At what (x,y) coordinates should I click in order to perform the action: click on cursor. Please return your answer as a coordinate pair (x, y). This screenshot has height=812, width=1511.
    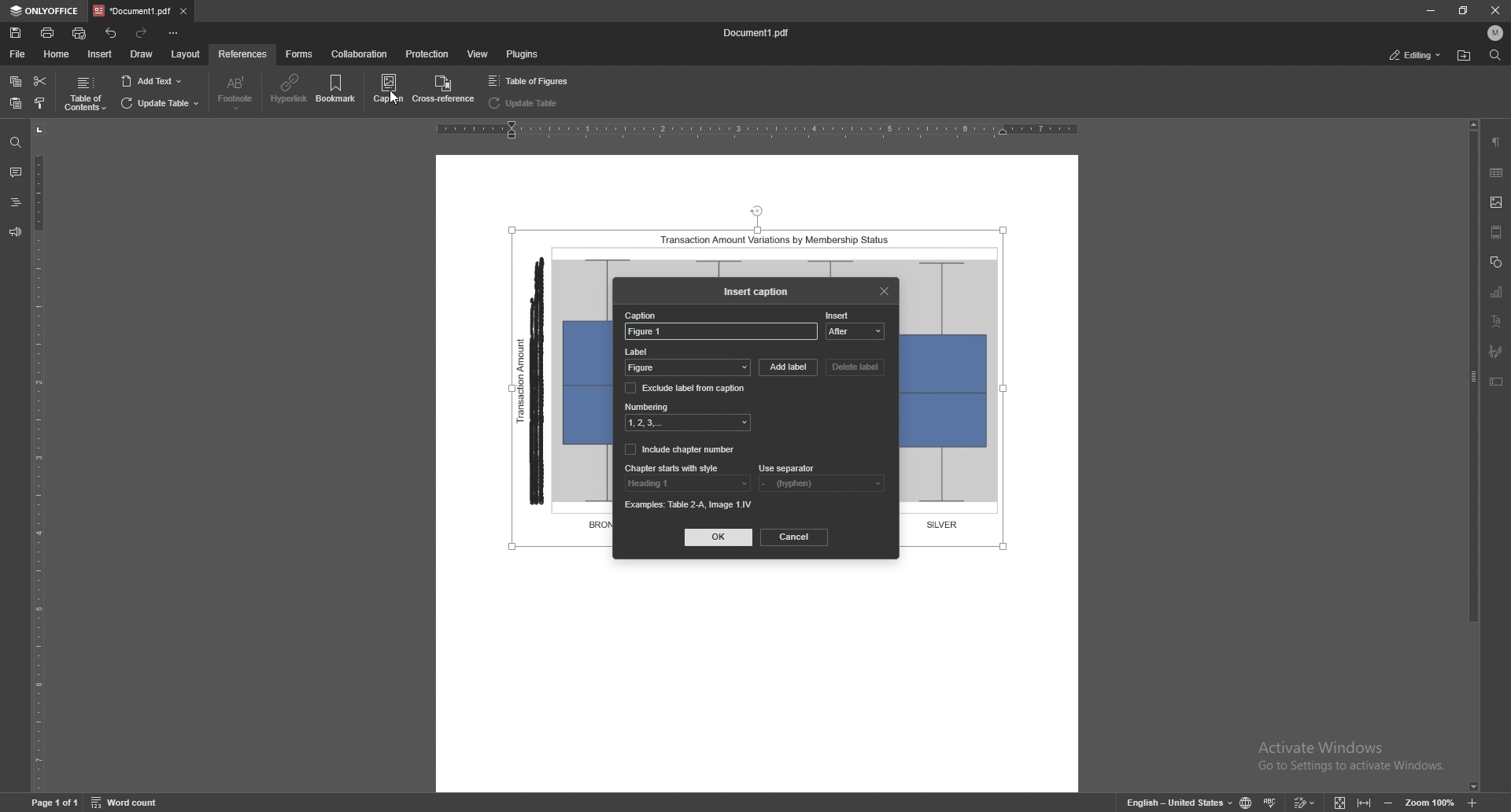
    Looking at the image, I should click on (395, 112).